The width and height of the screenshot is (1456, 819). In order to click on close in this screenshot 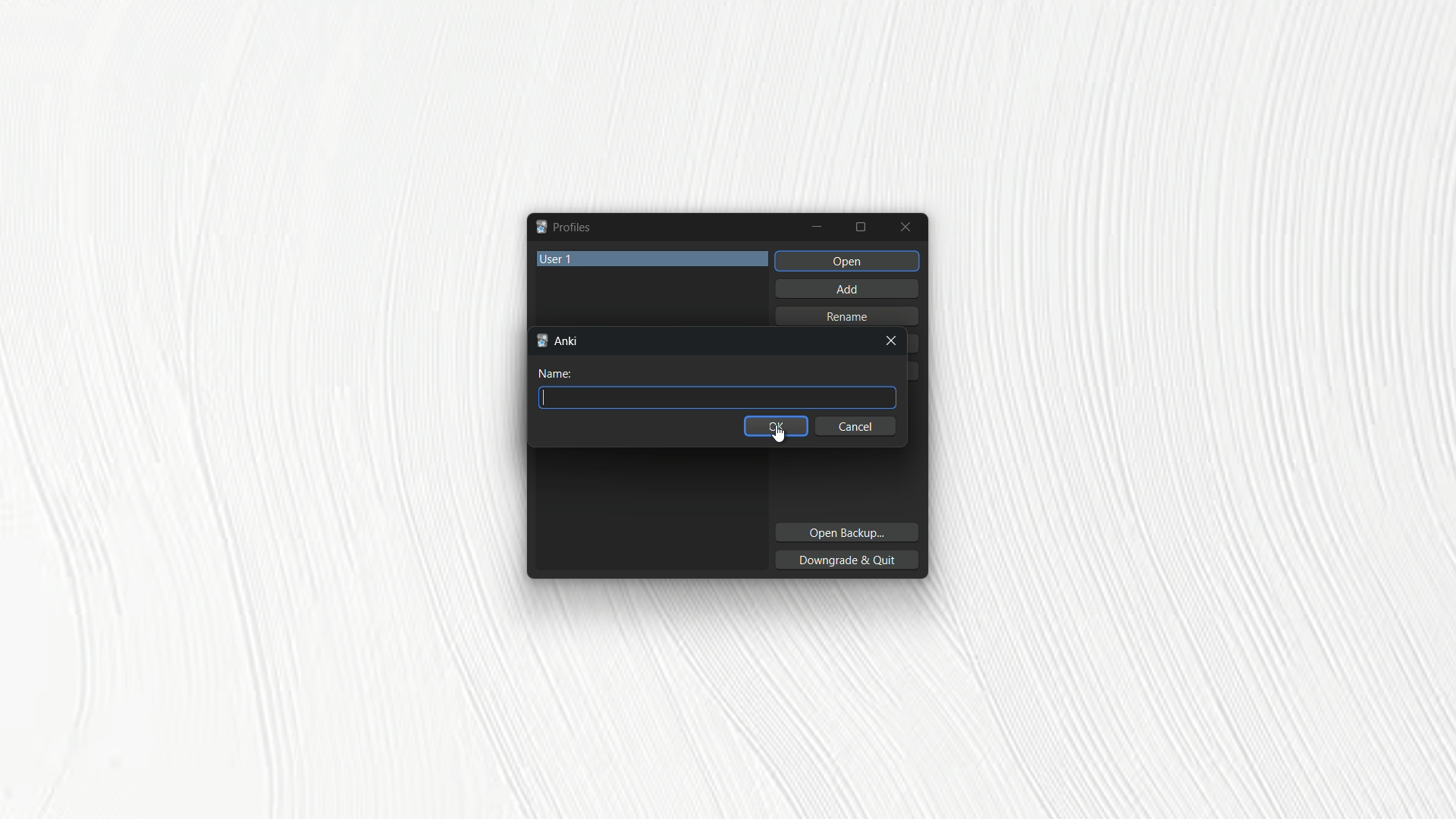, I will do `click(893, 343)`.